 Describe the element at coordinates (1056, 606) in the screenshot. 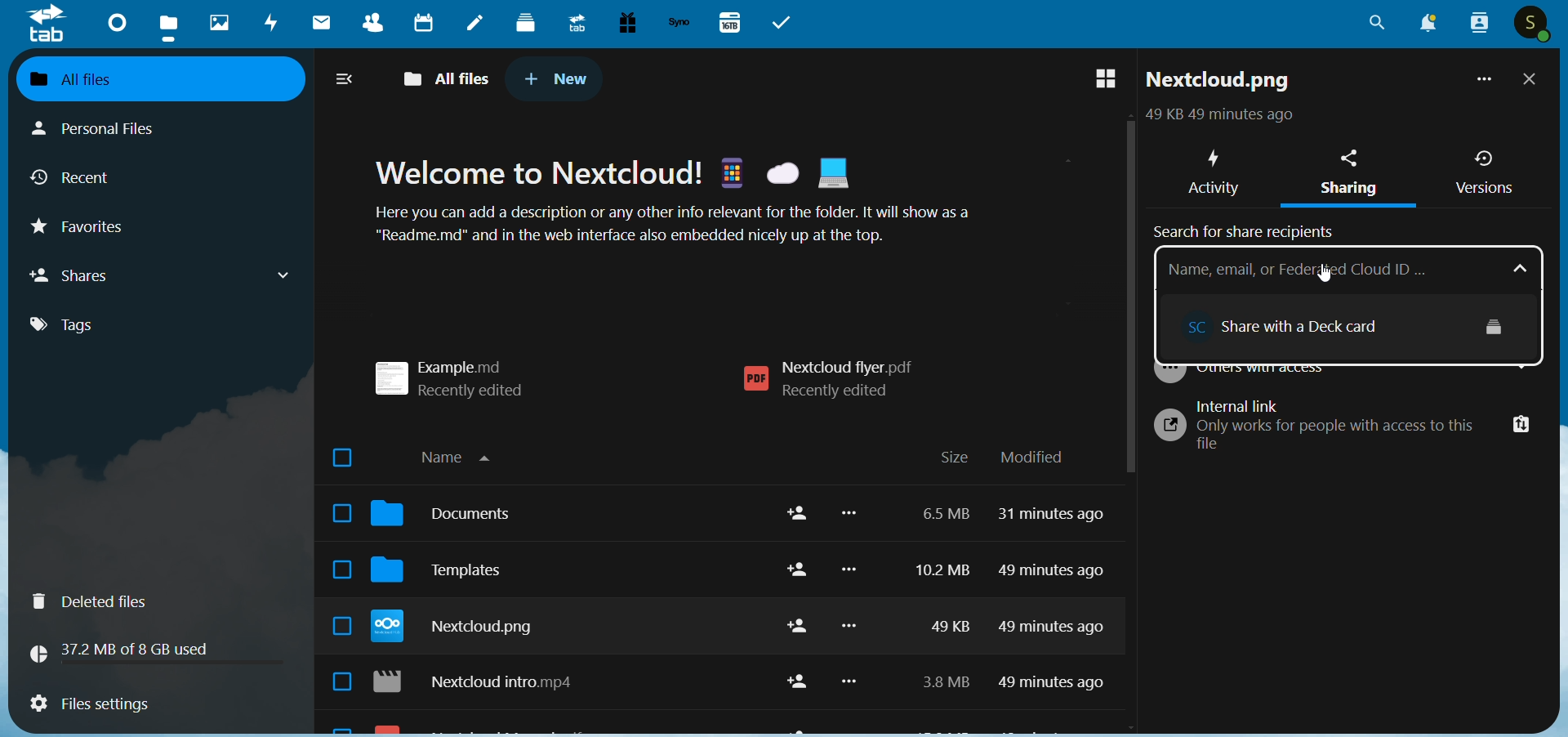

I see `modified time` at that location.